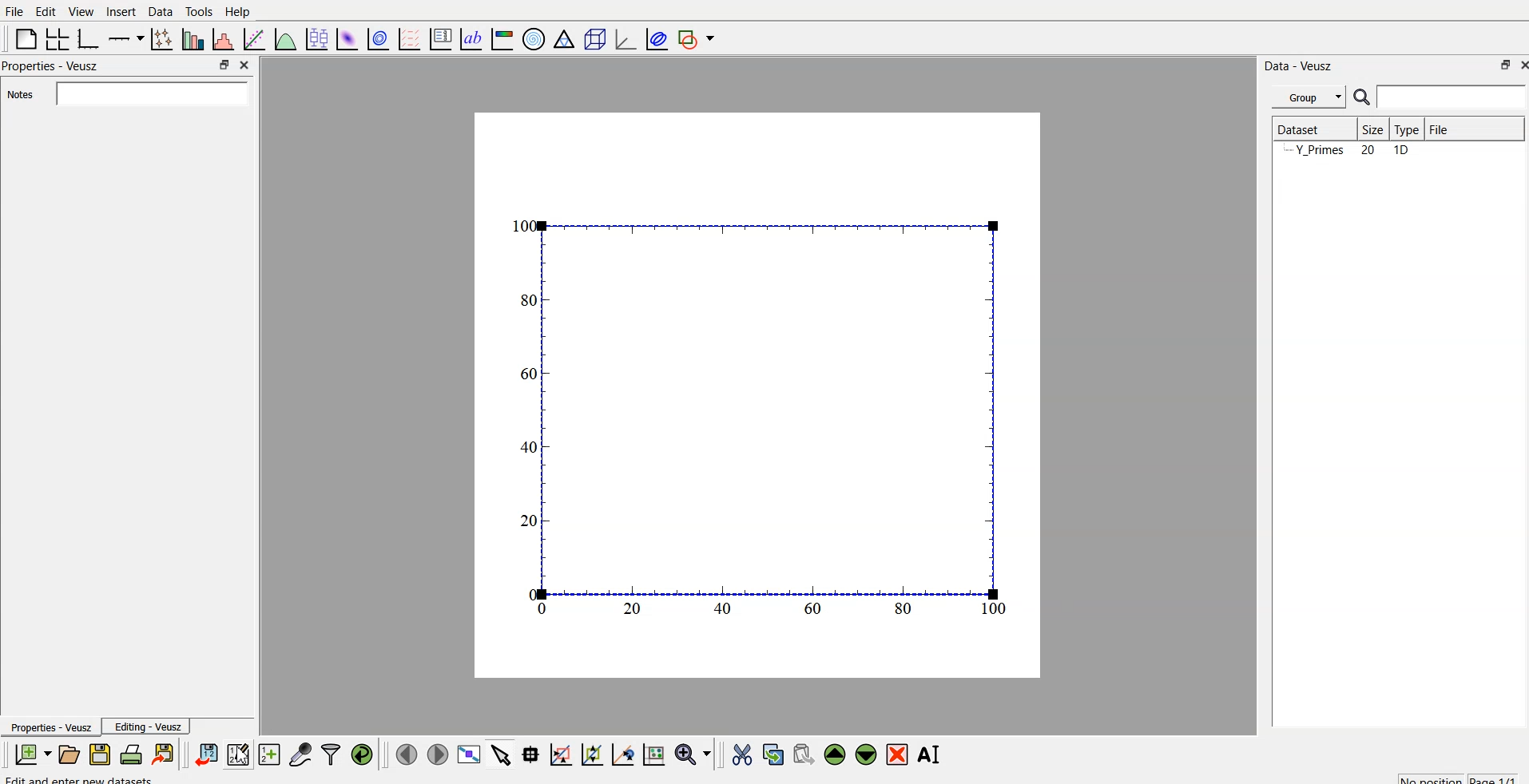 The image size is (1529, 784). I want to click on move up the widget, so click(833, 754).